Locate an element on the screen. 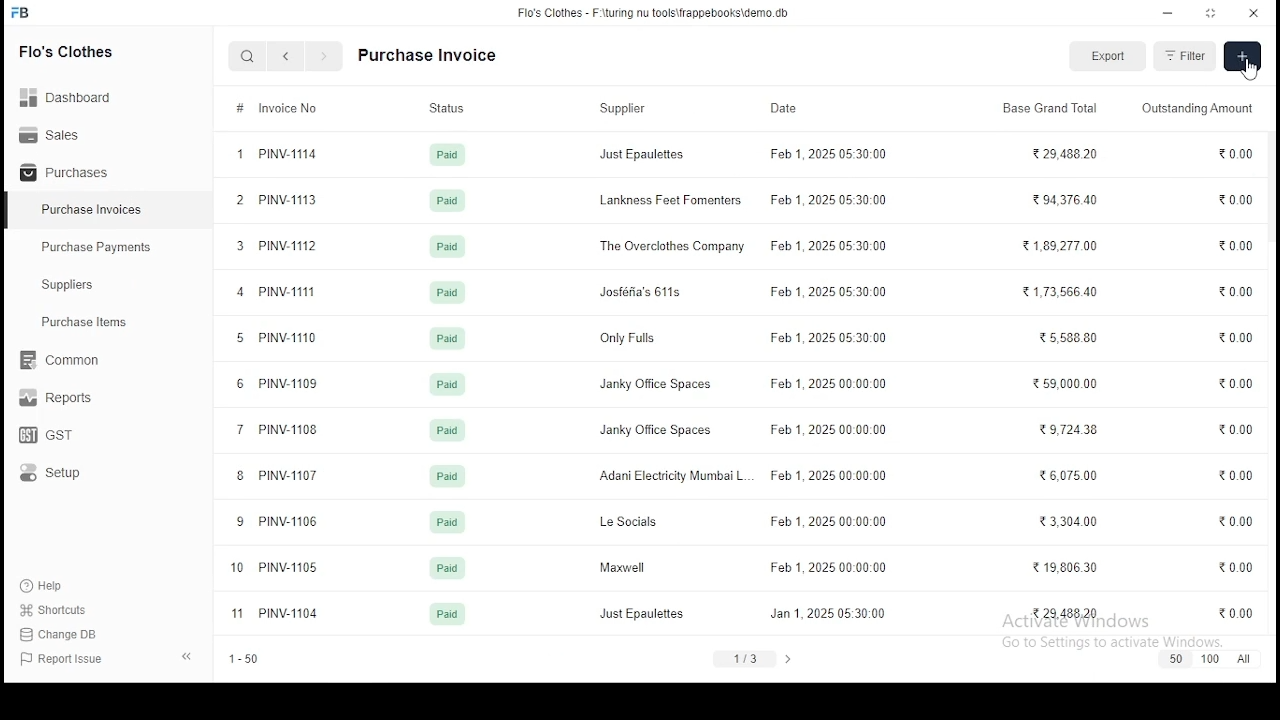 This screenshot has width=1280, height=720. feb 1, 2025 05:30:00 is located at coordinates (832, 566).